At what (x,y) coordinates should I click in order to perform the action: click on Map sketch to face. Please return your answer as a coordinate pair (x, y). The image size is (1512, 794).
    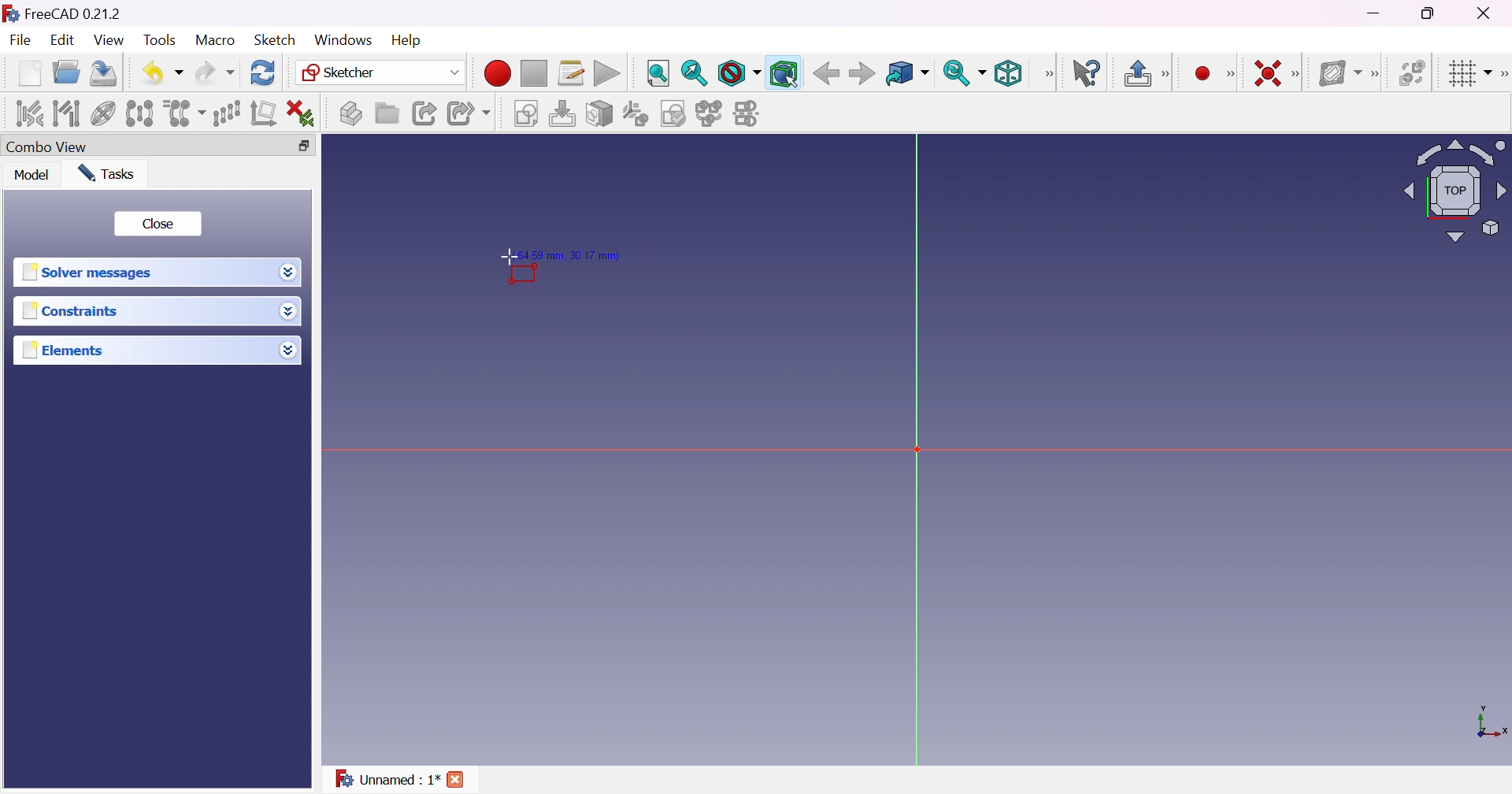
    Looking at the image, I should click on (598, 113).